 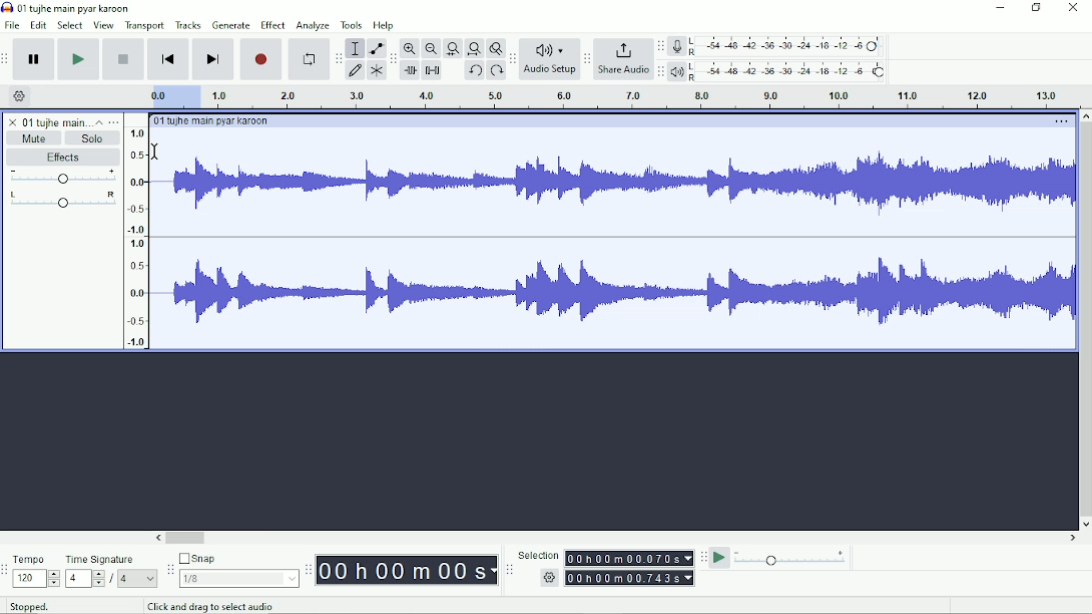 I want to click on Setting Logo, so click(x=548, y=580).